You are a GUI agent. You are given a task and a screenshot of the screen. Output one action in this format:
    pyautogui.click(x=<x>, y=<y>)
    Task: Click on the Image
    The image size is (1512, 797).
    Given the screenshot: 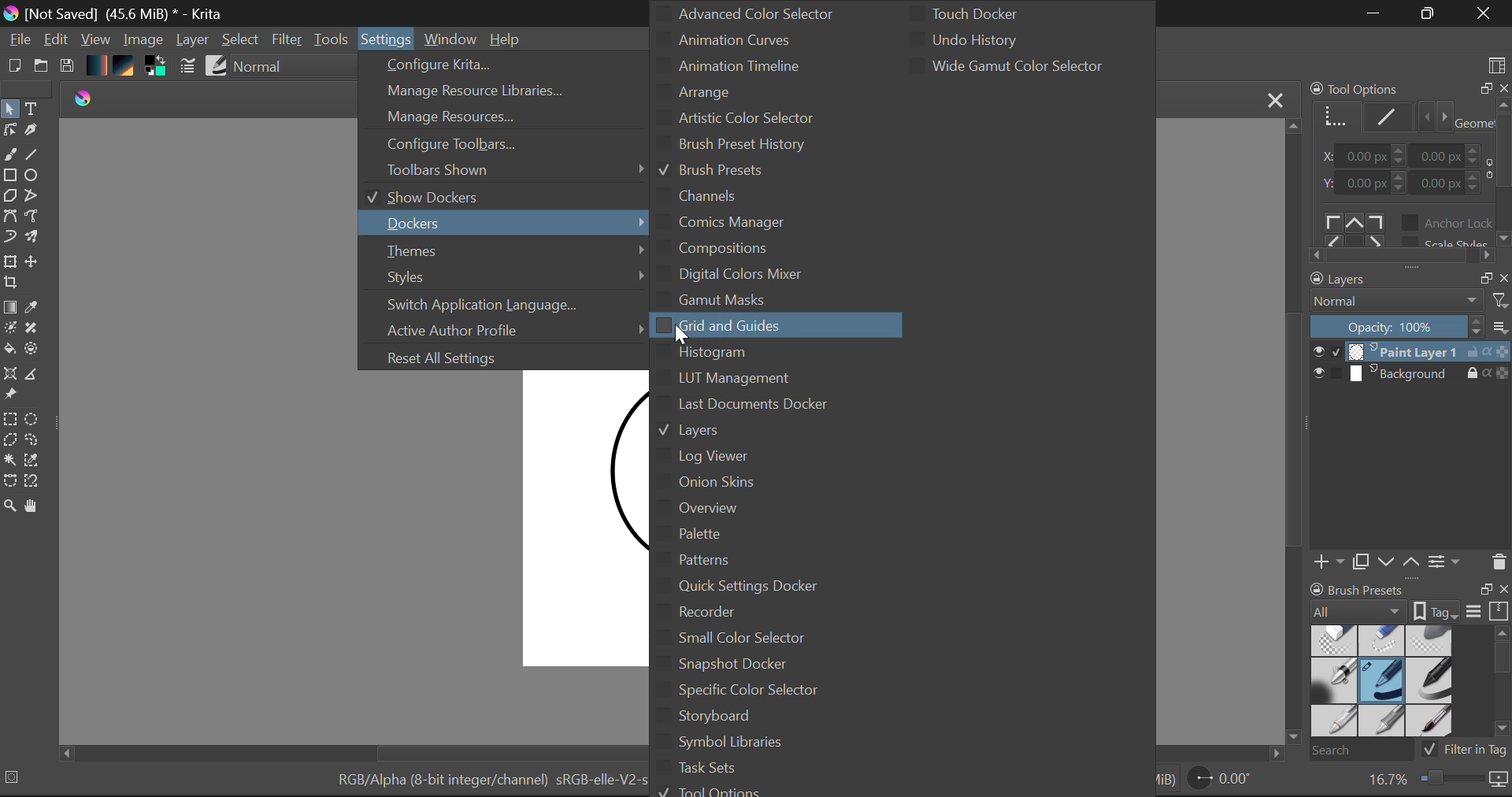 What is the action you would take?
    pyautogui.click(x=143, y=41)
    